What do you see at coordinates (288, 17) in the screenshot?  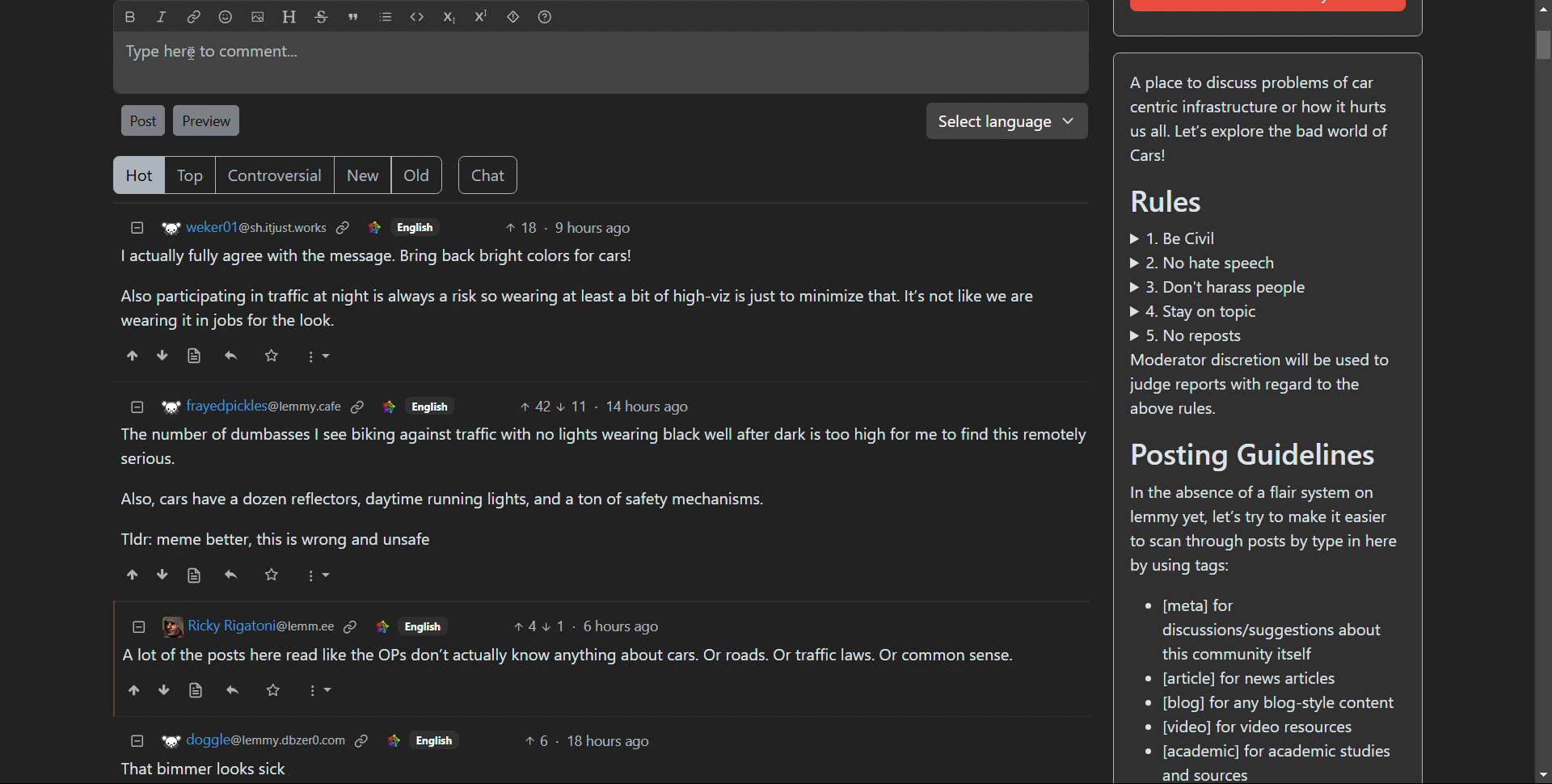 I see `header` at bounding box center [288, 17].